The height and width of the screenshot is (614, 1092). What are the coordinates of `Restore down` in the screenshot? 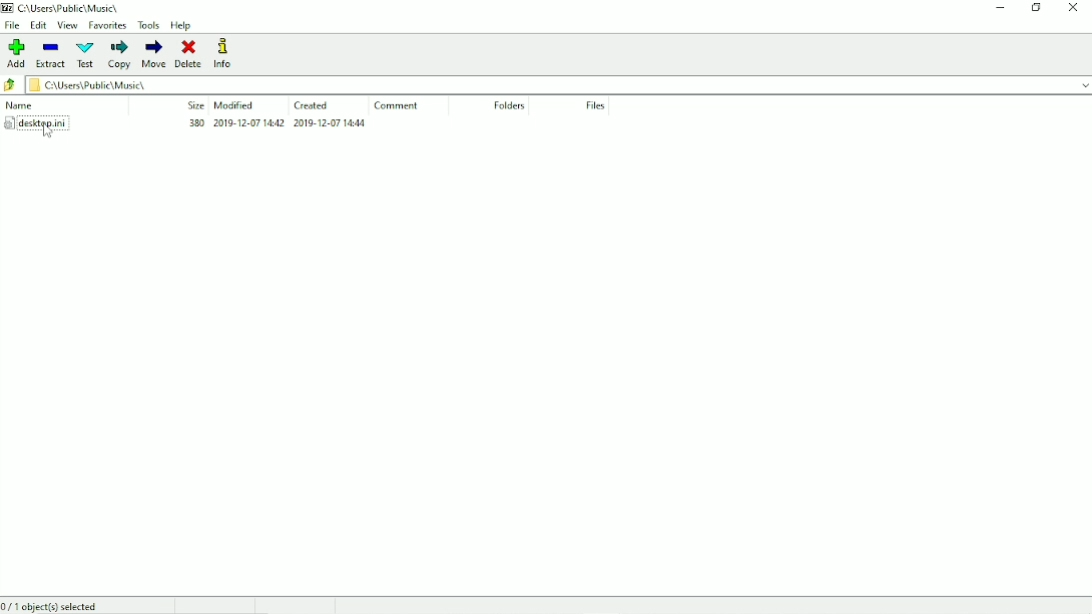 It's located at (1038, 7).